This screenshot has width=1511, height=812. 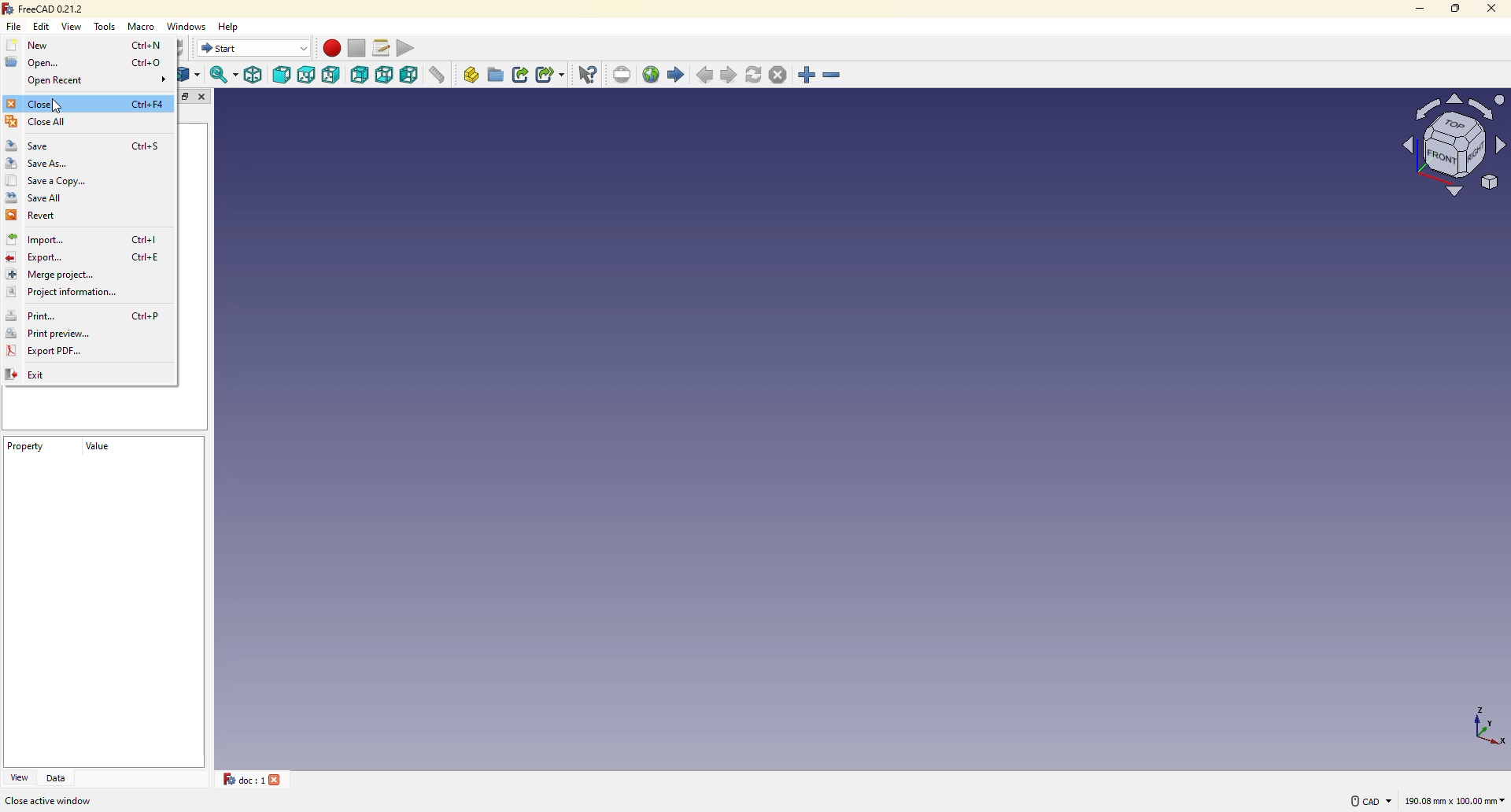 I want to click on set url, so click(x=623, y=74).